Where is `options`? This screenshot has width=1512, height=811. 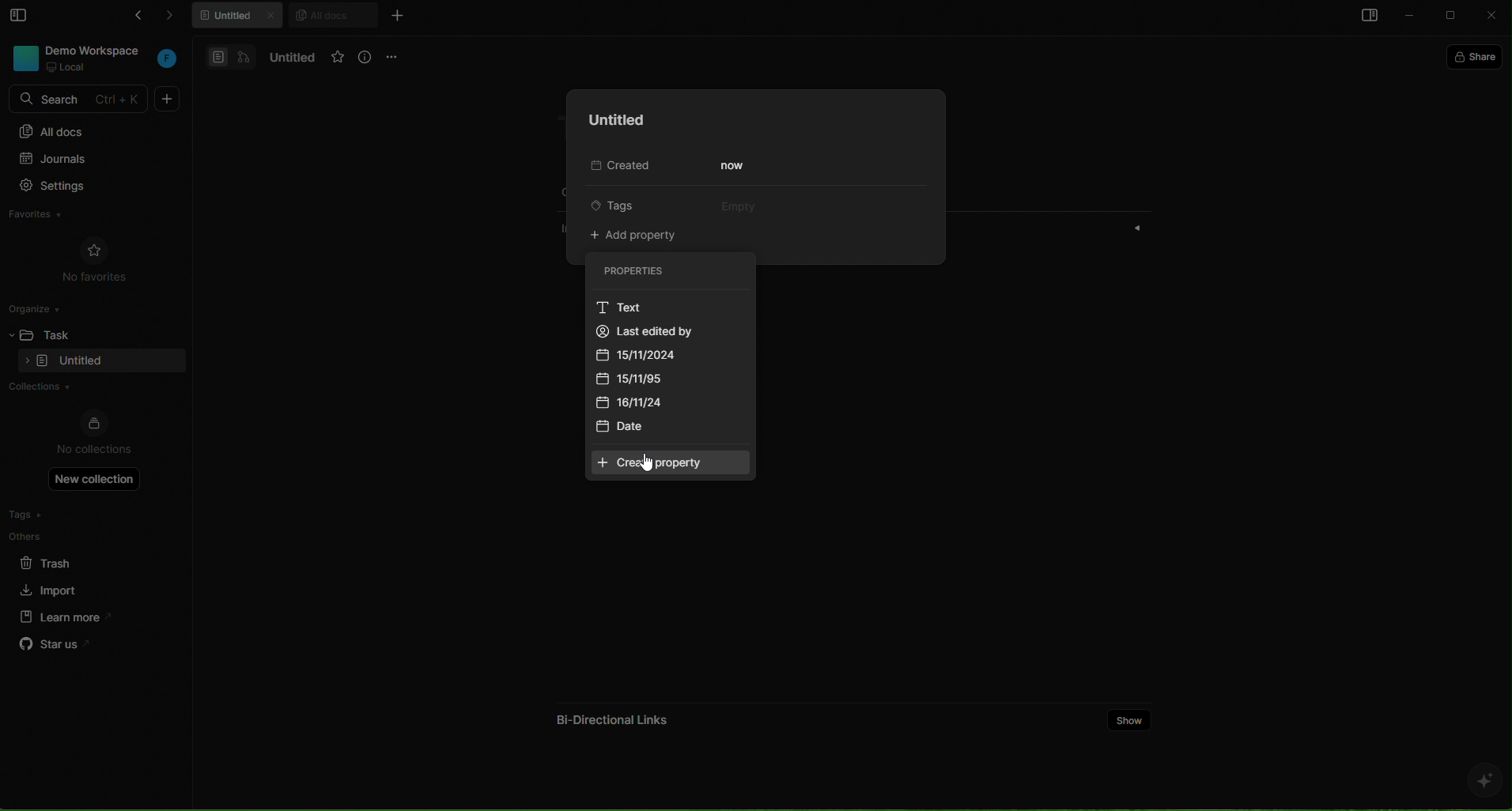
options is located at coordinates (395, 56).